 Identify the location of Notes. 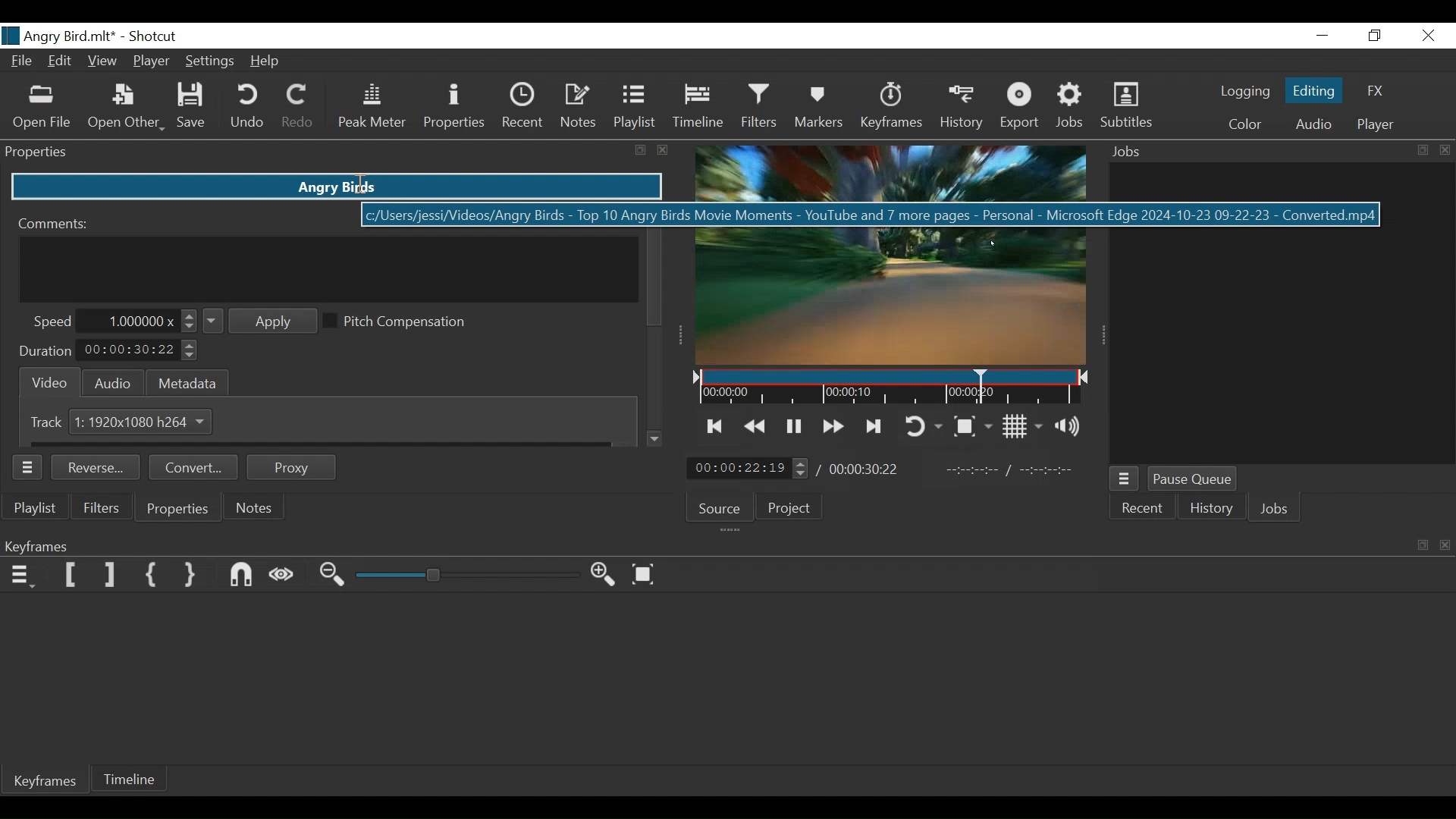
(256, 507).